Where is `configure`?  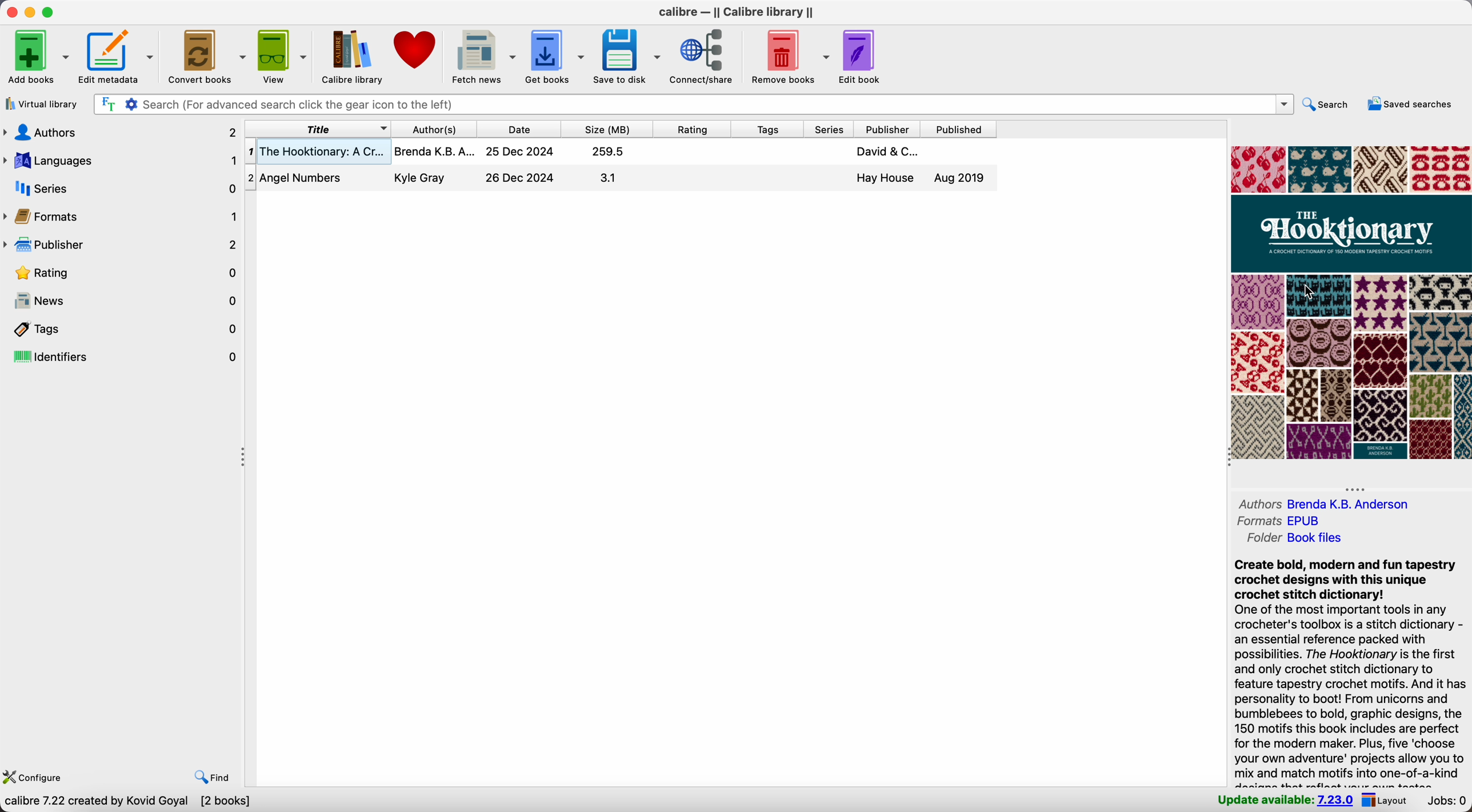 configure is located at coordinates (32, 778).